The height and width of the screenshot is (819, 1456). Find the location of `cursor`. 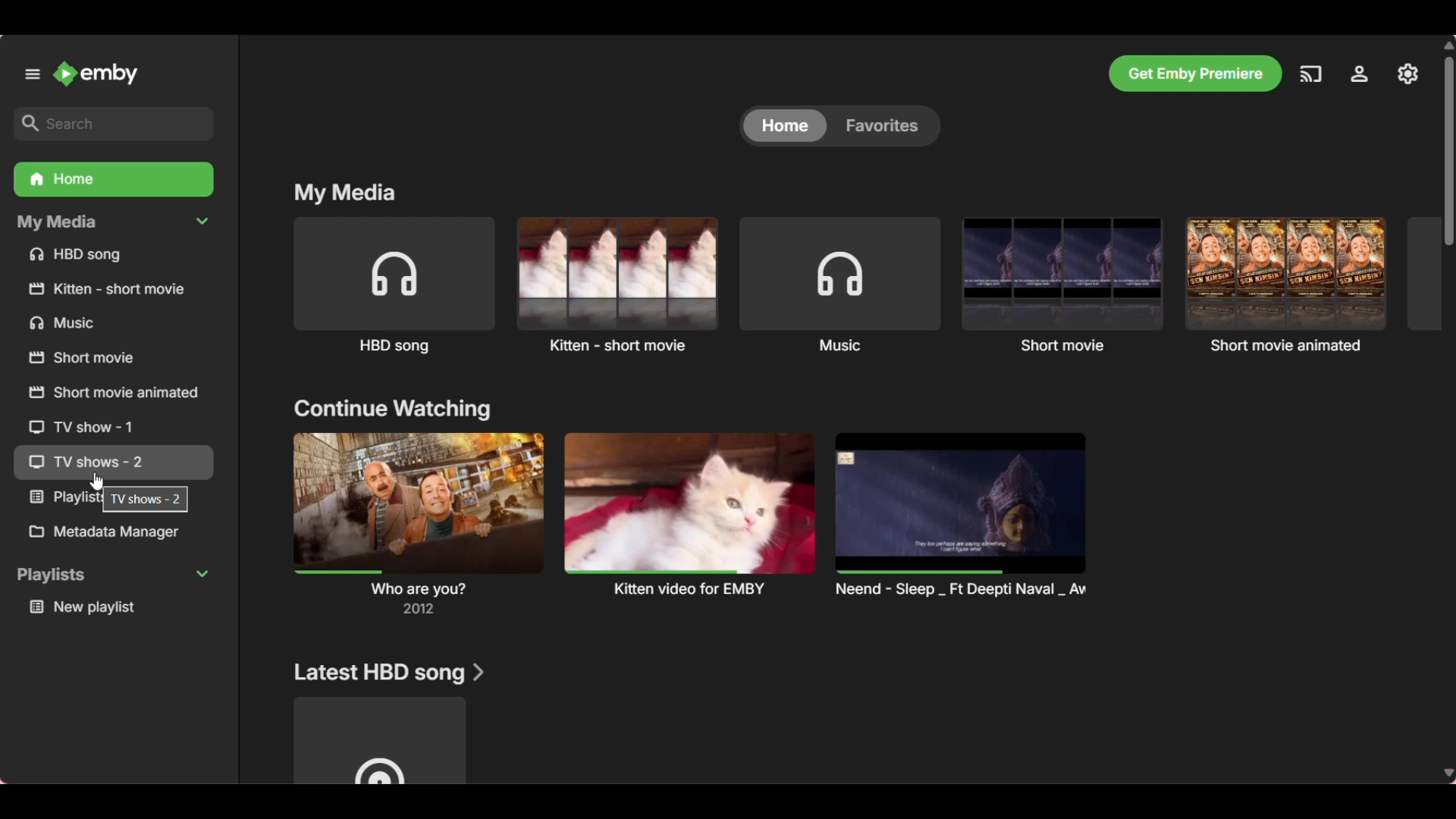

cursor is located at coordinates (100, 479).